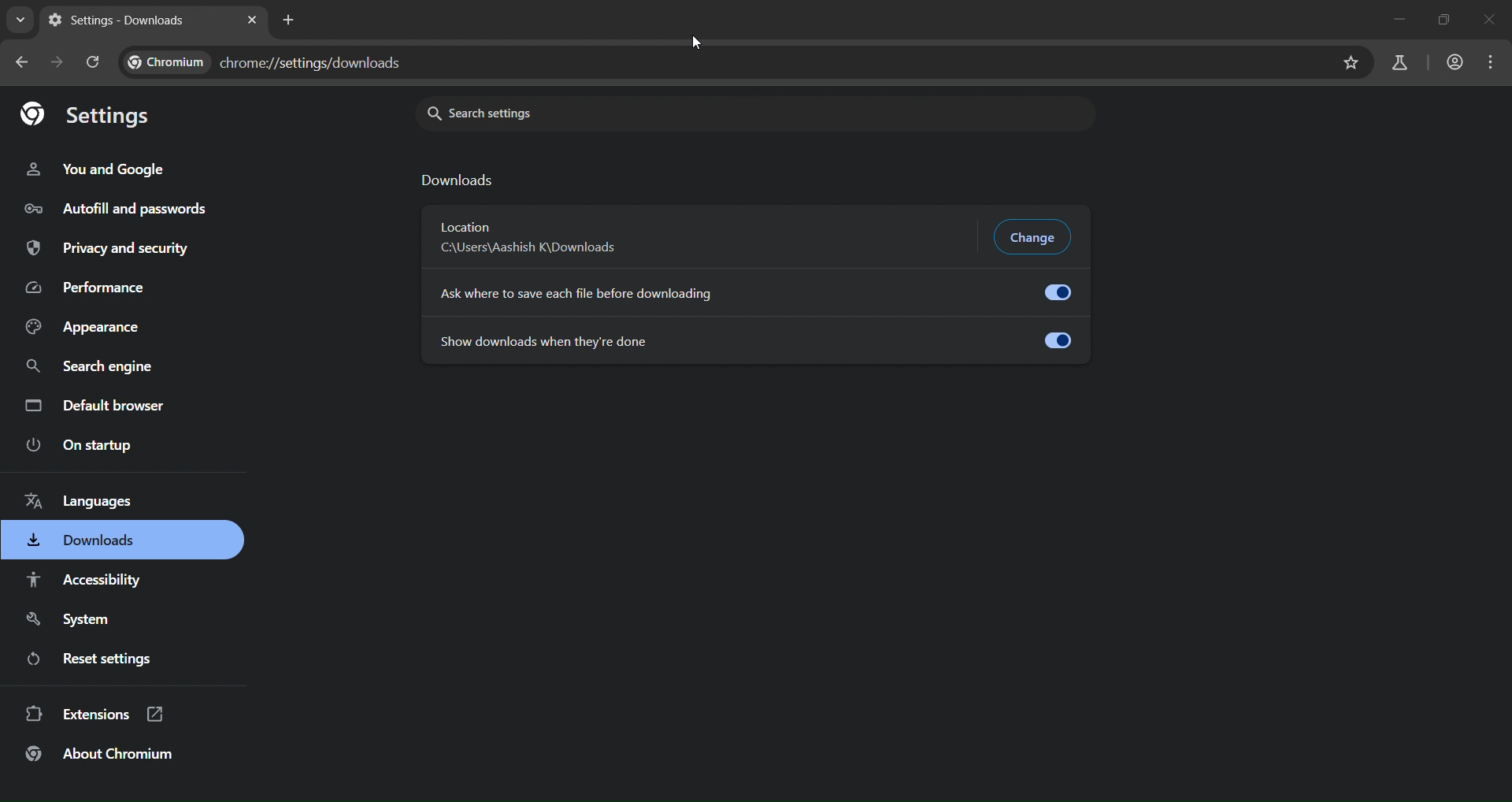  I want to click on search labs, so click(1399, 62).